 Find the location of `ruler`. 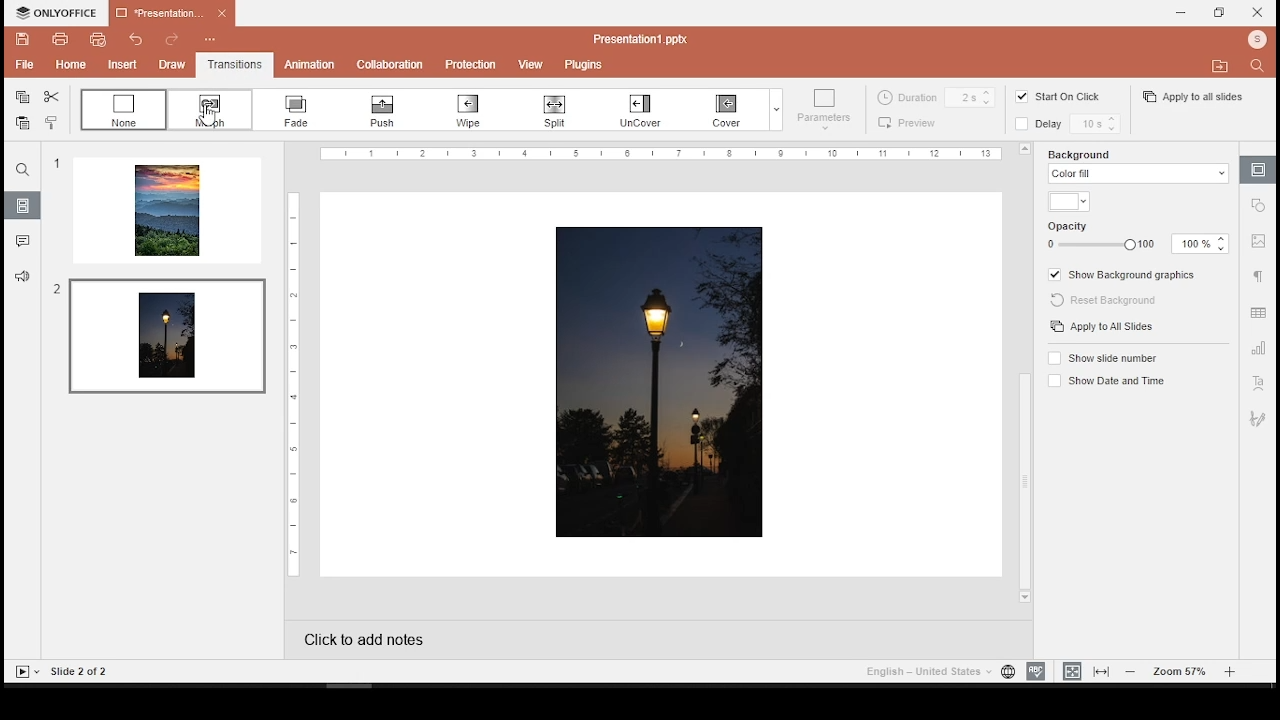

ruler is located at coordinates (663, 154).